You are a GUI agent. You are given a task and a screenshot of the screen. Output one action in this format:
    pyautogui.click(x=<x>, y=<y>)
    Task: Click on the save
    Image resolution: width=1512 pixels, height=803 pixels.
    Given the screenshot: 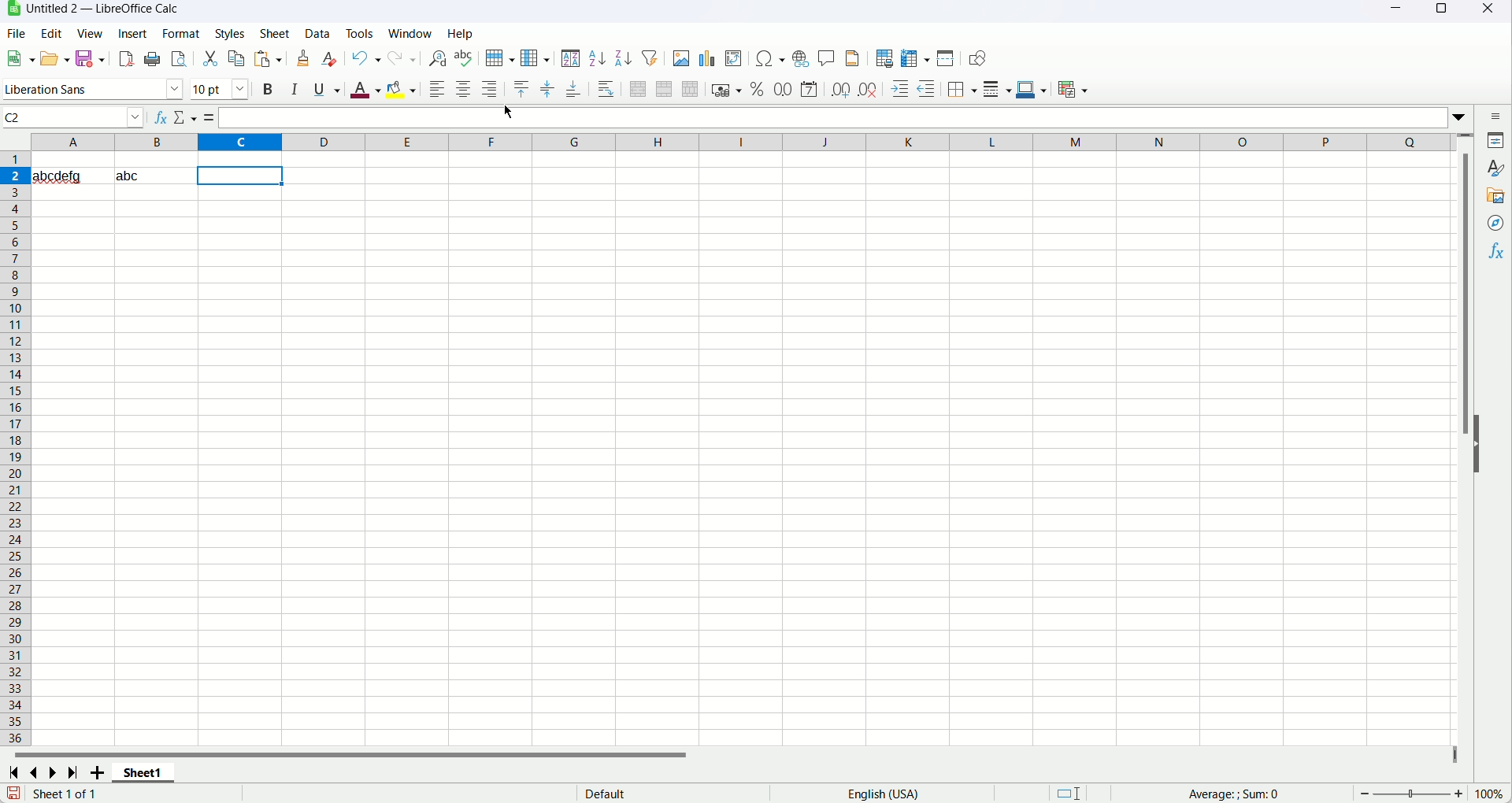 What is the action you would take?
    pyautogui.click(x=13, y=793)
    